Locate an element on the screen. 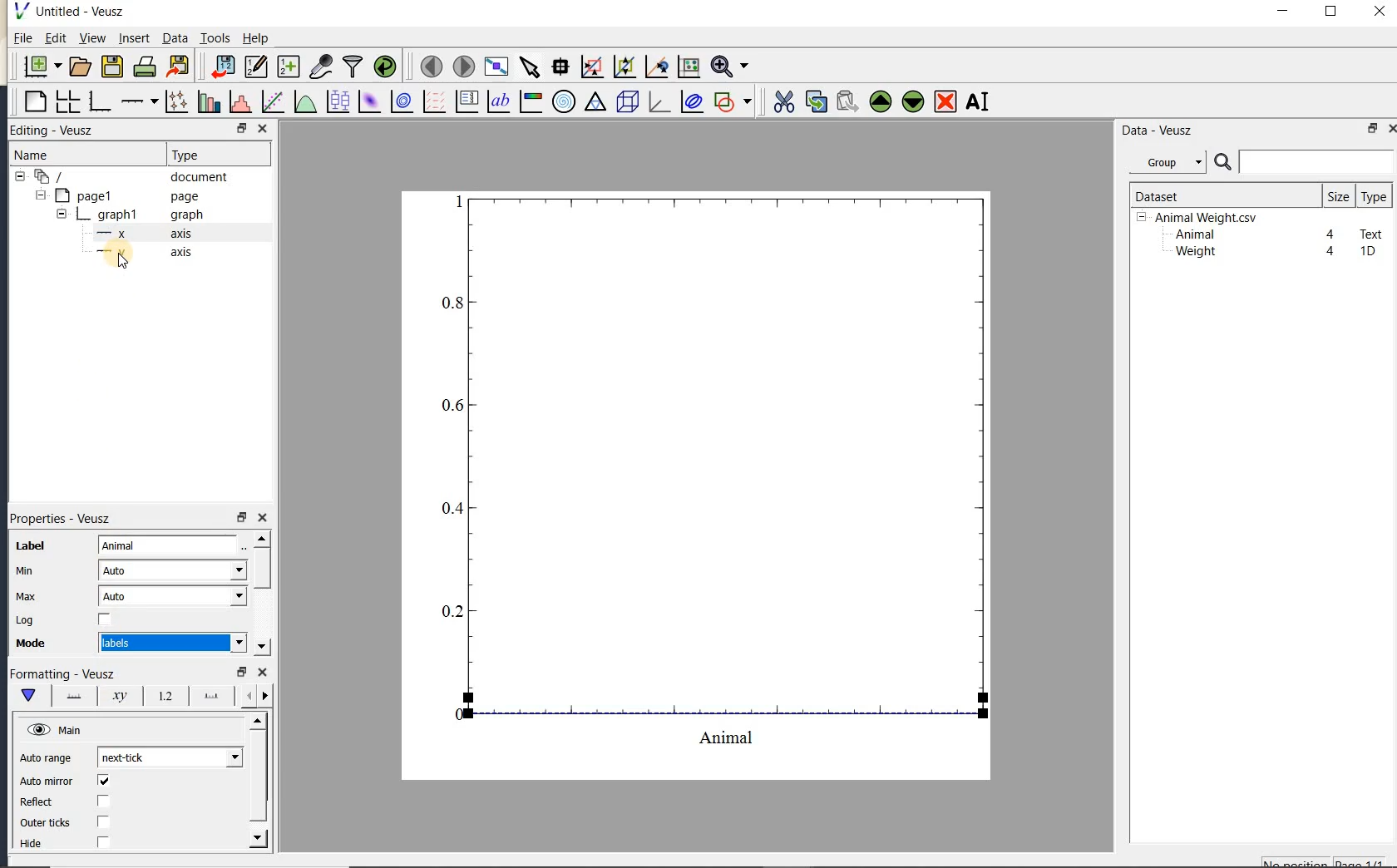 The height and width of the screenshot is (868, 1397). arrange graphs in a grid is located at coordinates (67, 101).